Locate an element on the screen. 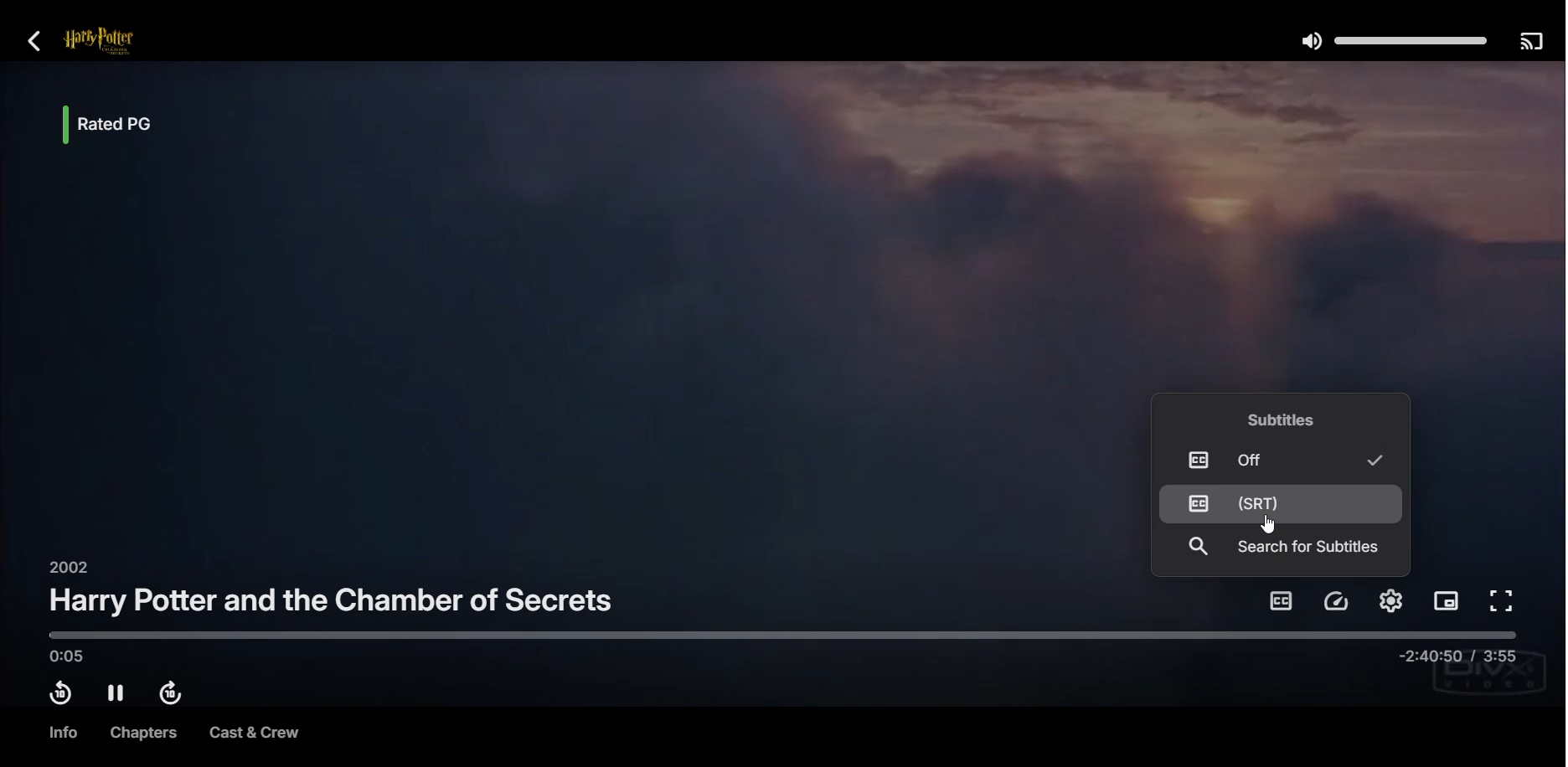 This screenshot has height=767, width=1568. Set Volume is located at coordinates (1391, 39).